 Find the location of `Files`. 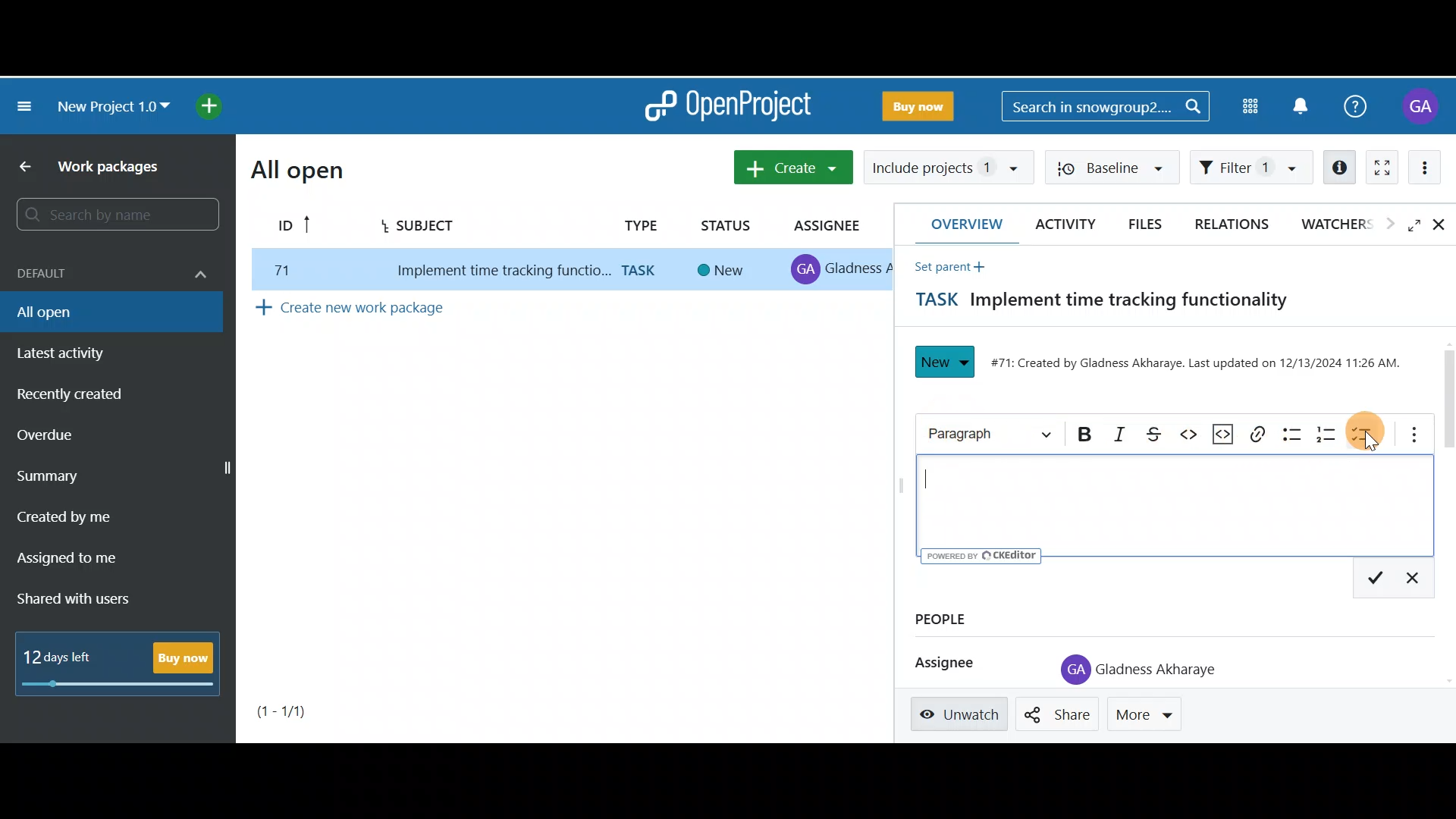

Files is located at coordinates (1150, 224).